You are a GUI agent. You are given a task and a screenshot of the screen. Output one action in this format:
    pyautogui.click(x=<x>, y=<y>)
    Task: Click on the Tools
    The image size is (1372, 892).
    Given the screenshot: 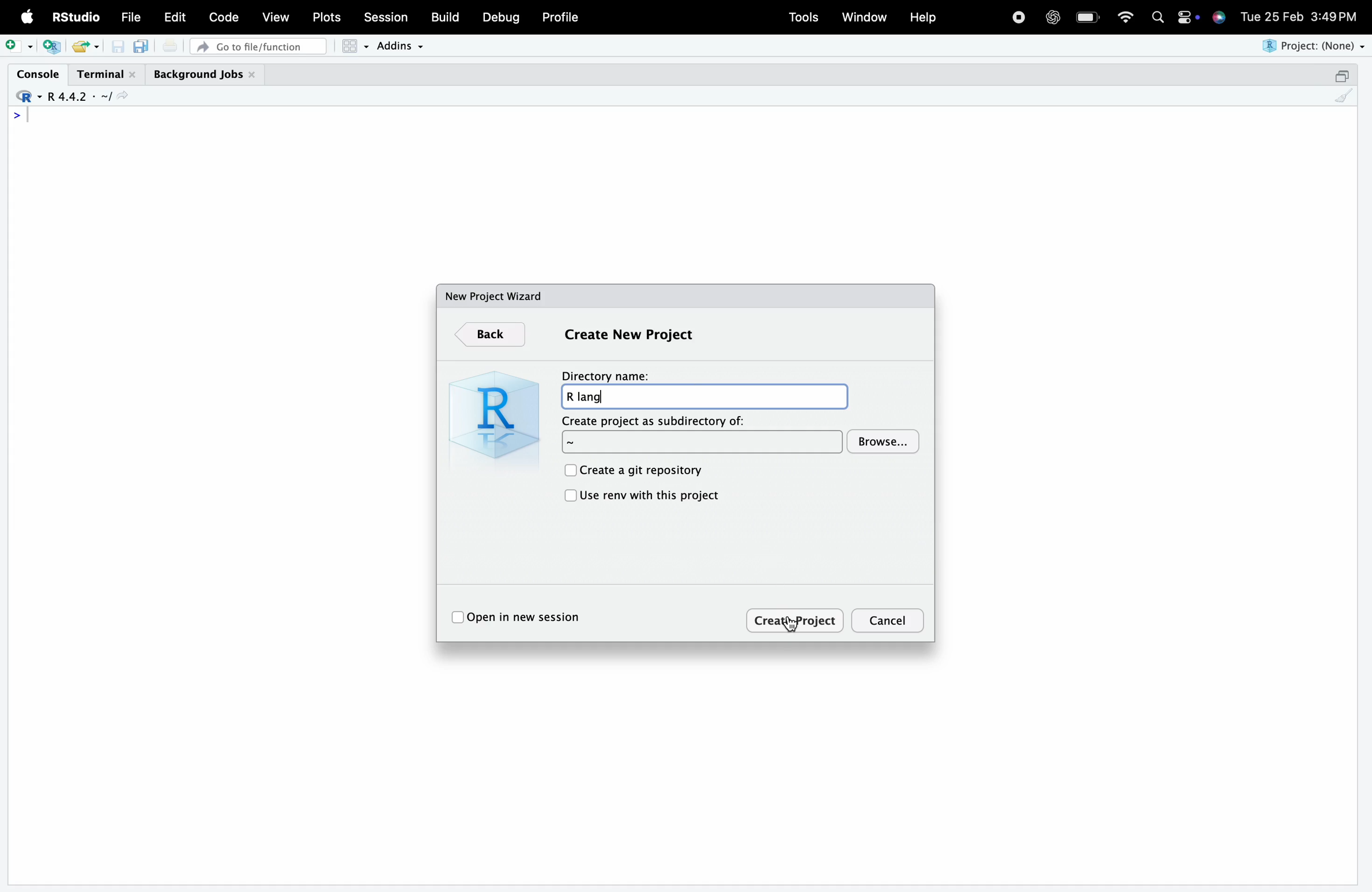 What is the action you would take?
    pyautogui.click(x=804, y=17)
    